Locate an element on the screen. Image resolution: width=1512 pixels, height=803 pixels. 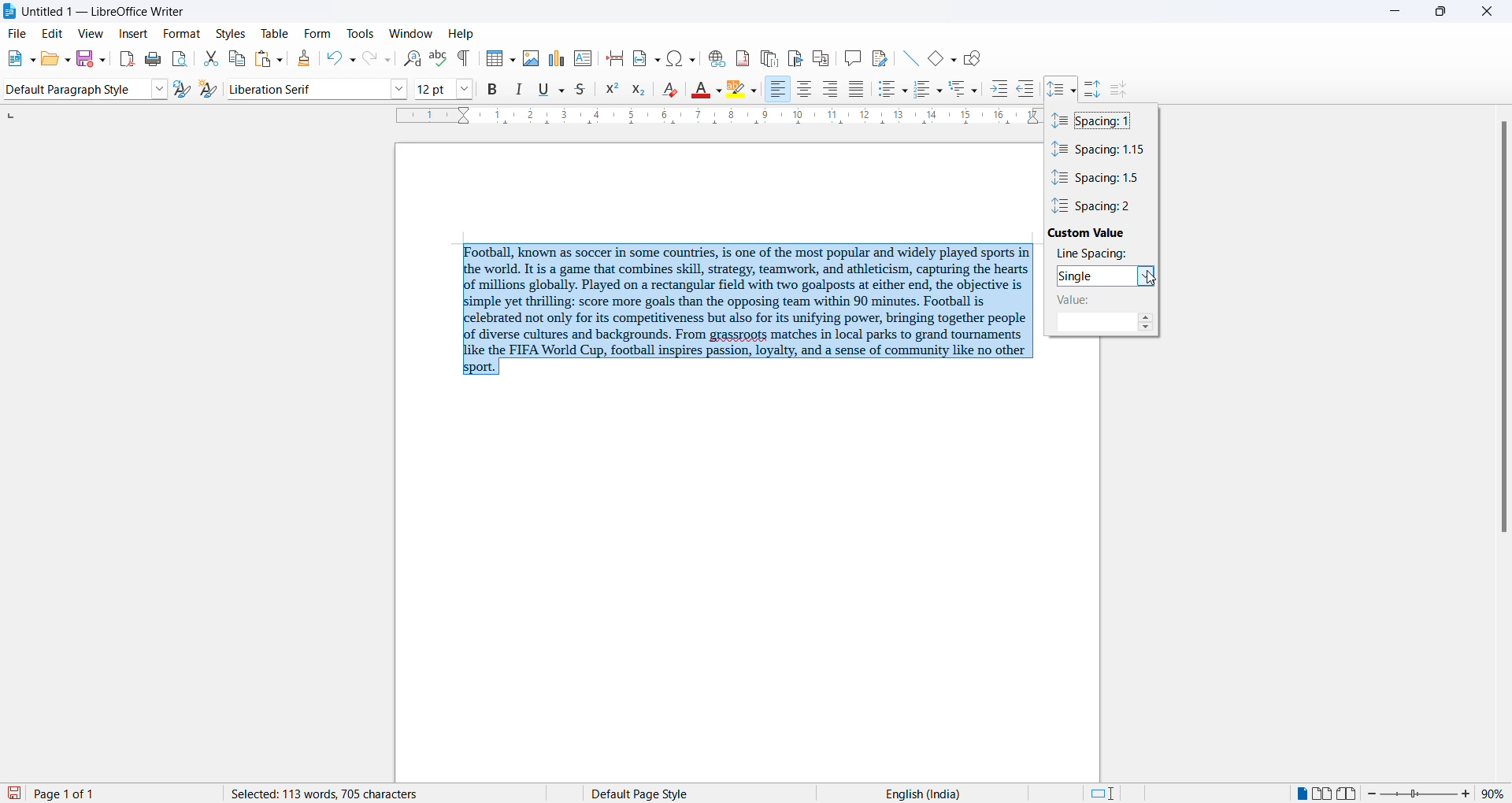
insert bookmark is located at coordinates (797, 58).